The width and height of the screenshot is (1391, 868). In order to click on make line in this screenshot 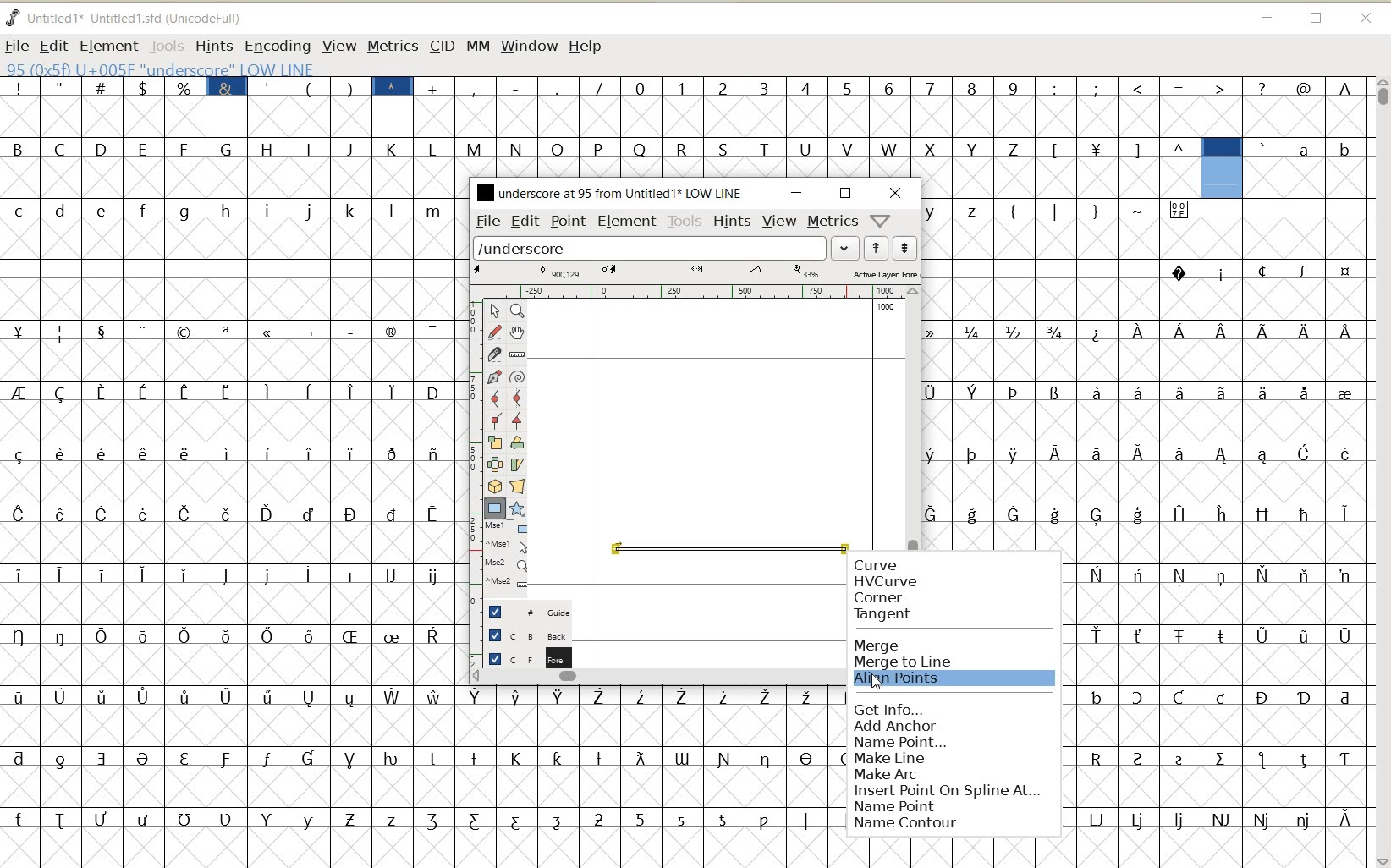, I will do `click(951, 759)`.